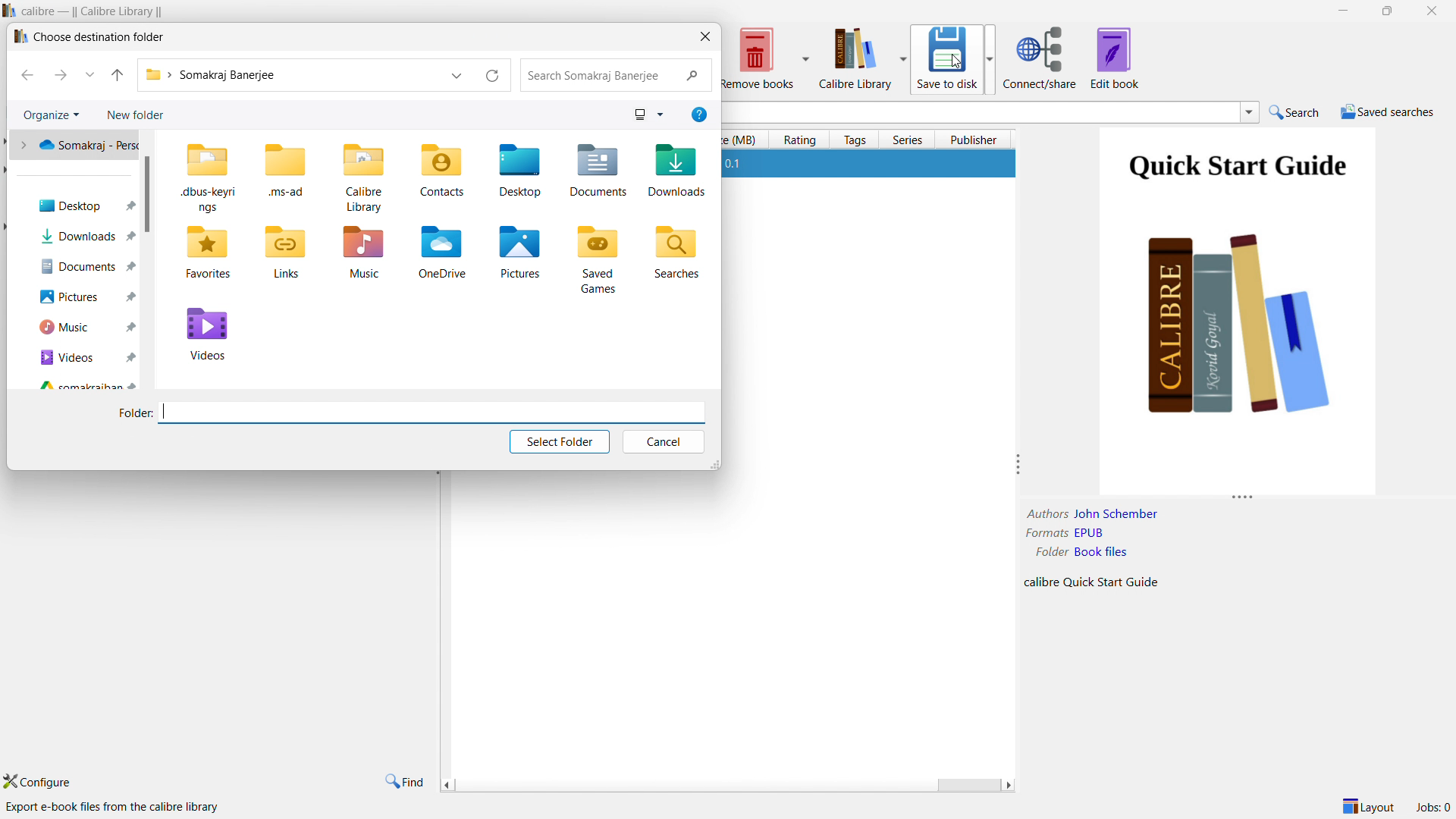  I want to click on .ms-ad, so click(285, 171).